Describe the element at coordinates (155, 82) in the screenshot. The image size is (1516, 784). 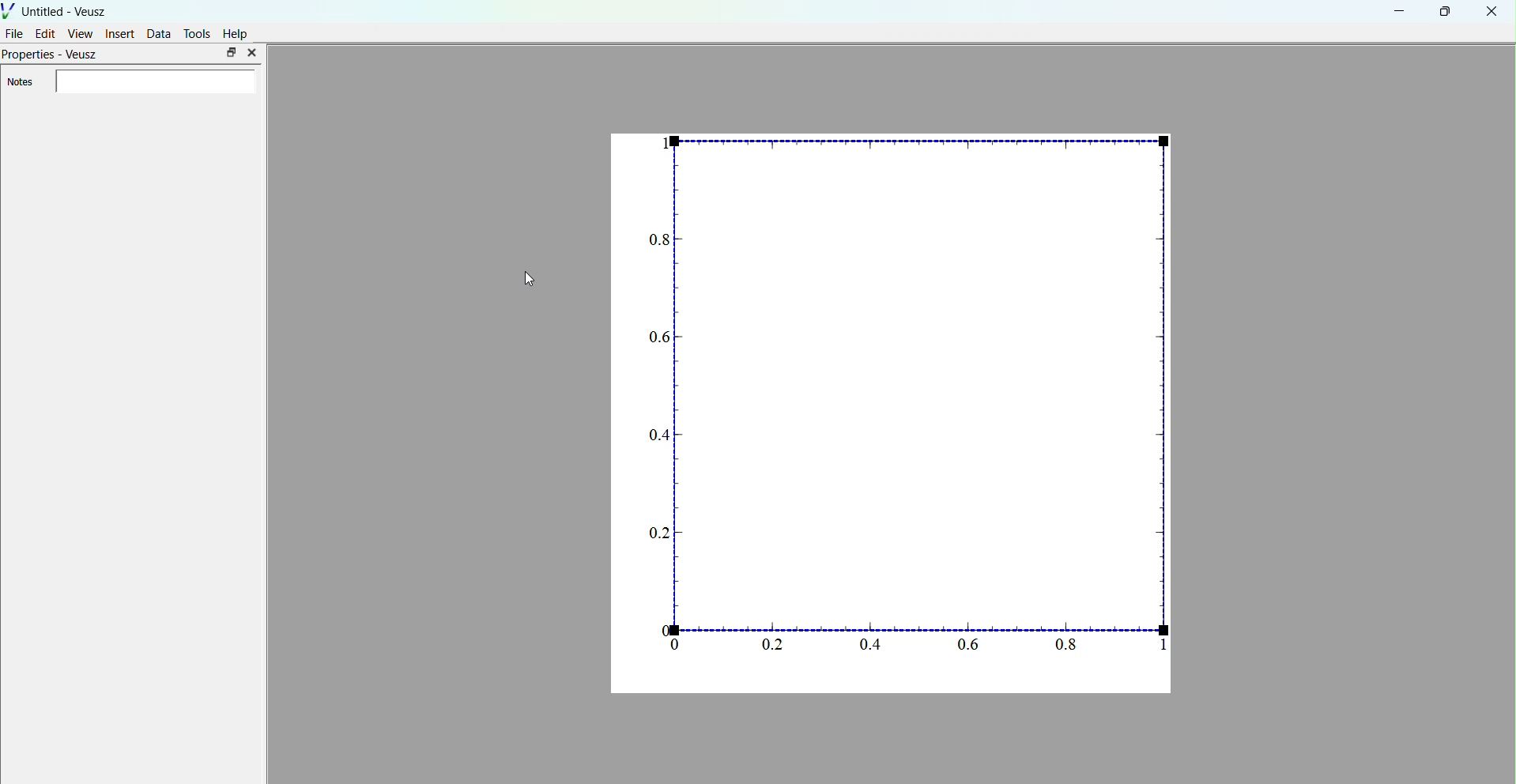
I see `enter notes field` at that location.